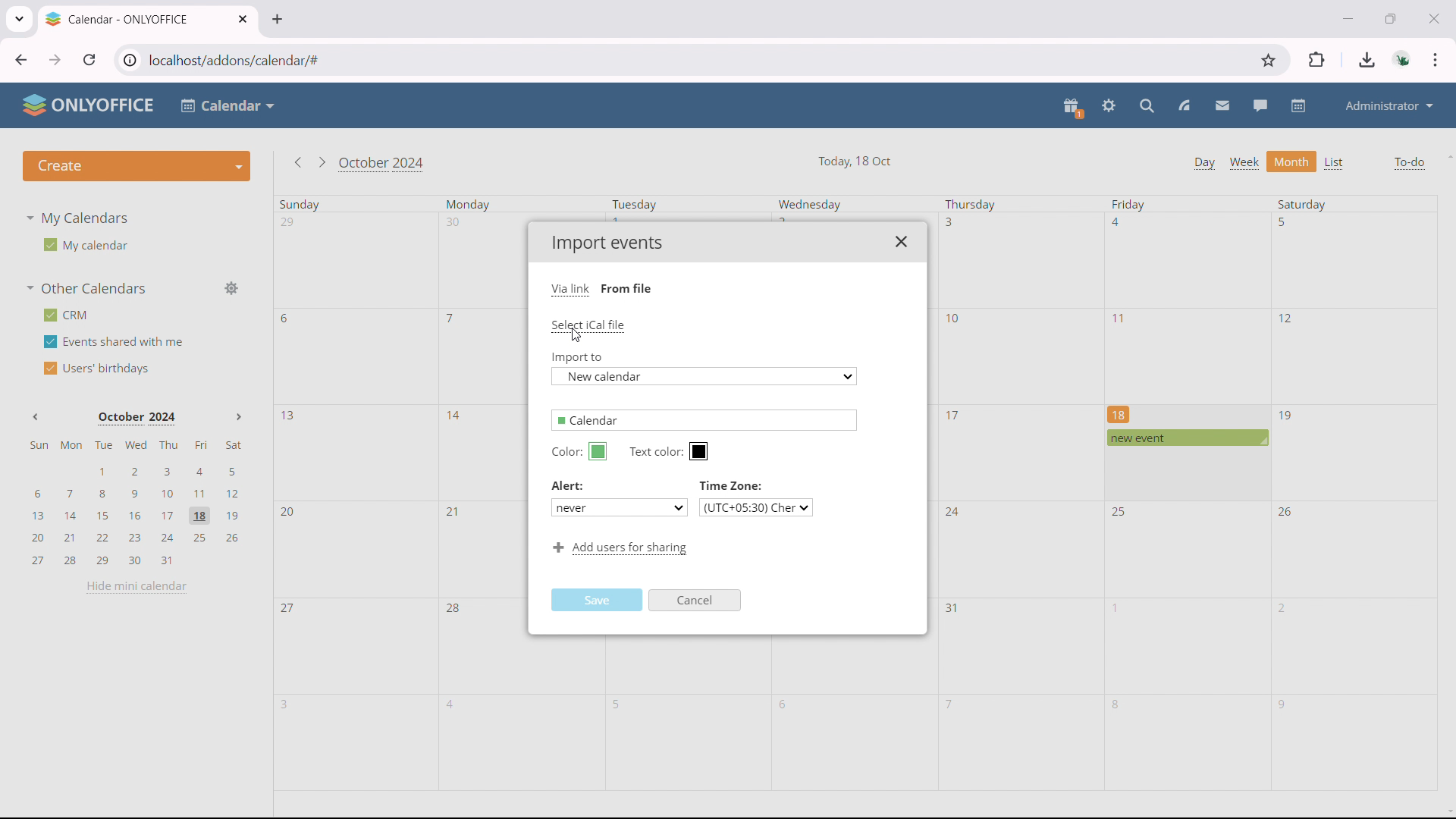 The width and height of the screenshot is (1456, 819). Describe the element at coordinates (708, 378) in the screenshot. I see `New calendar` at that location.